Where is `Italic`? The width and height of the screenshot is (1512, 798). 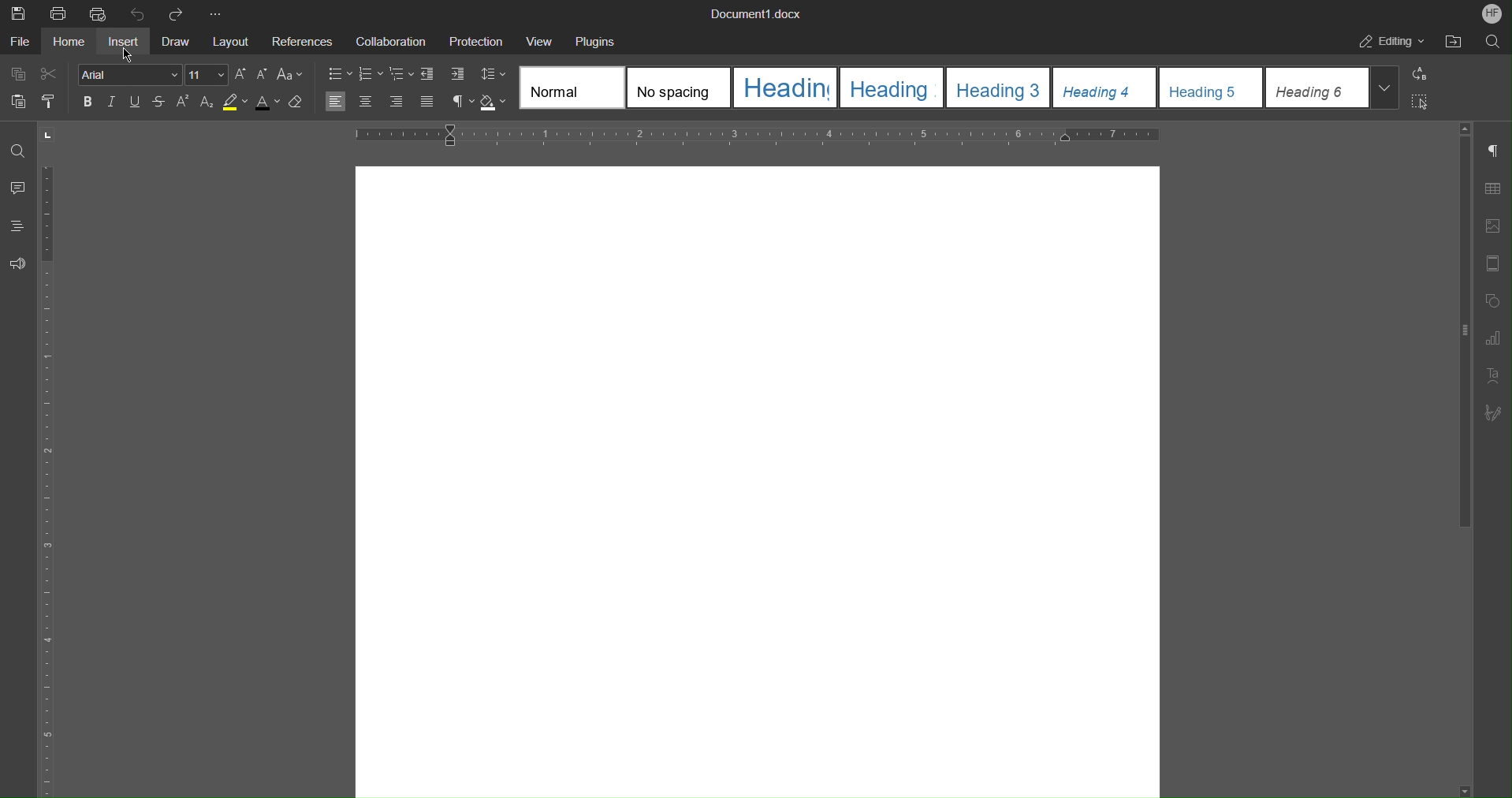 Italic is located at coordinates (112, 101).